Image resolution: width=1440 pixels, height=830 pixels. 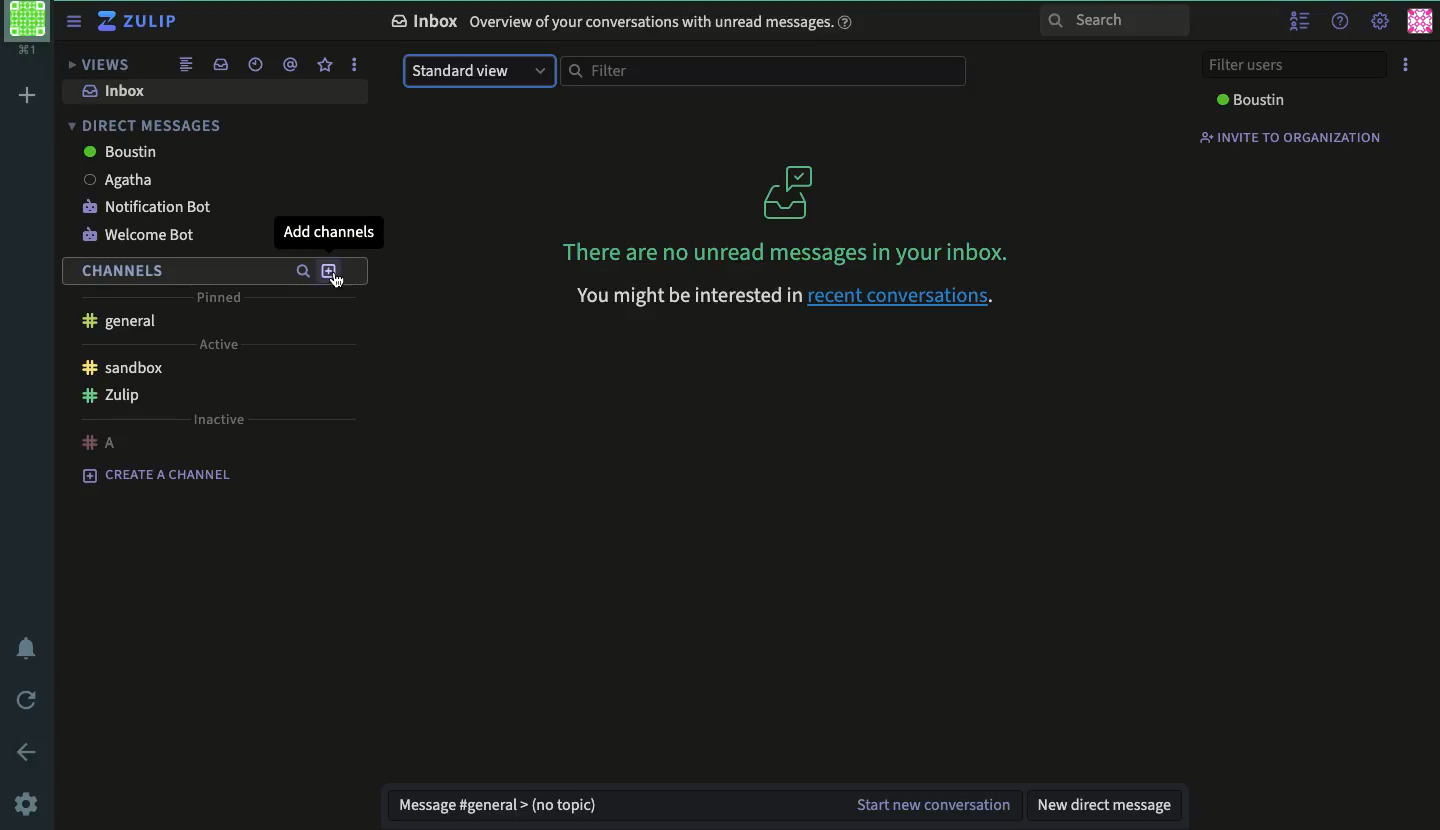 What do you see at coordinates (480, 70) in the screenshot?
I see `standard view` at bounding box center [480, 70].